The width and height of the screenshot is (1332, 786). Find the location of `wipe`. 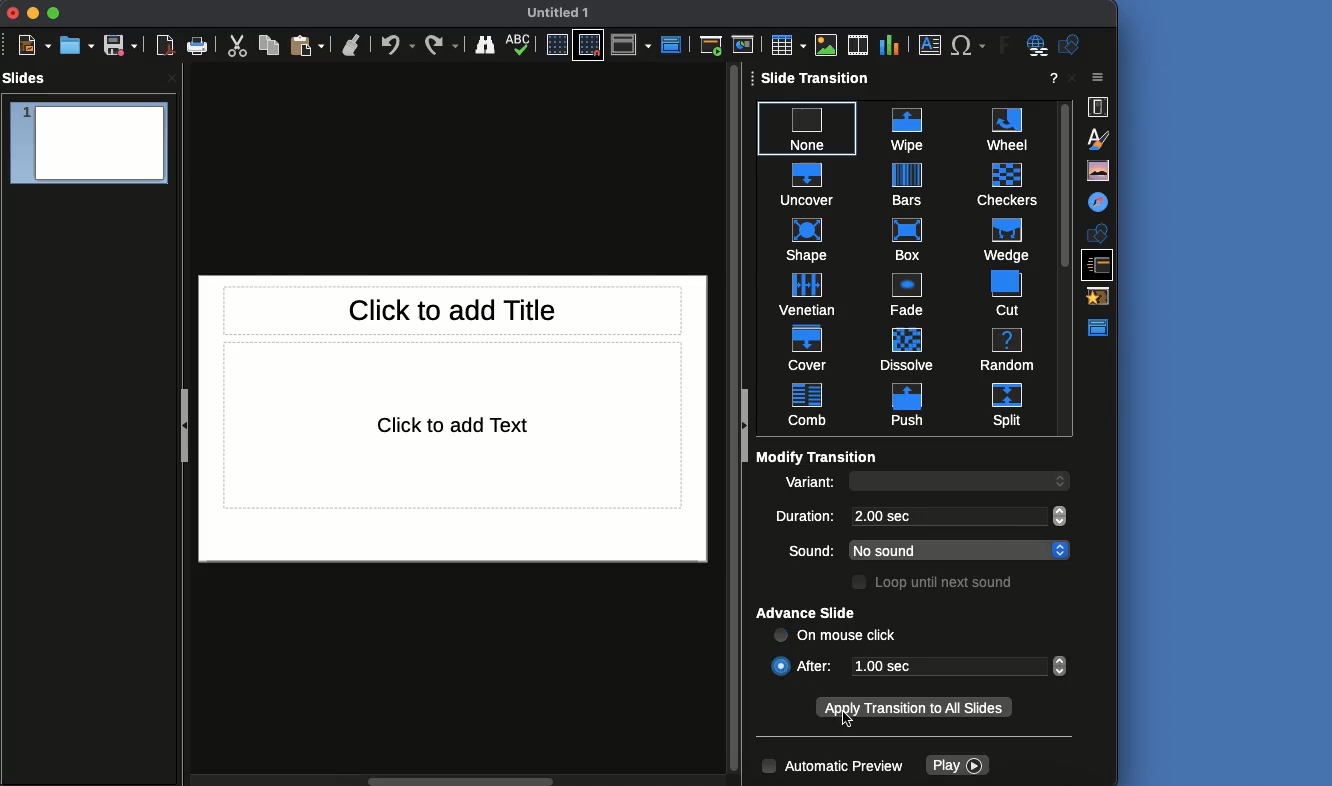

wipe is located at coordinates (905, 126).